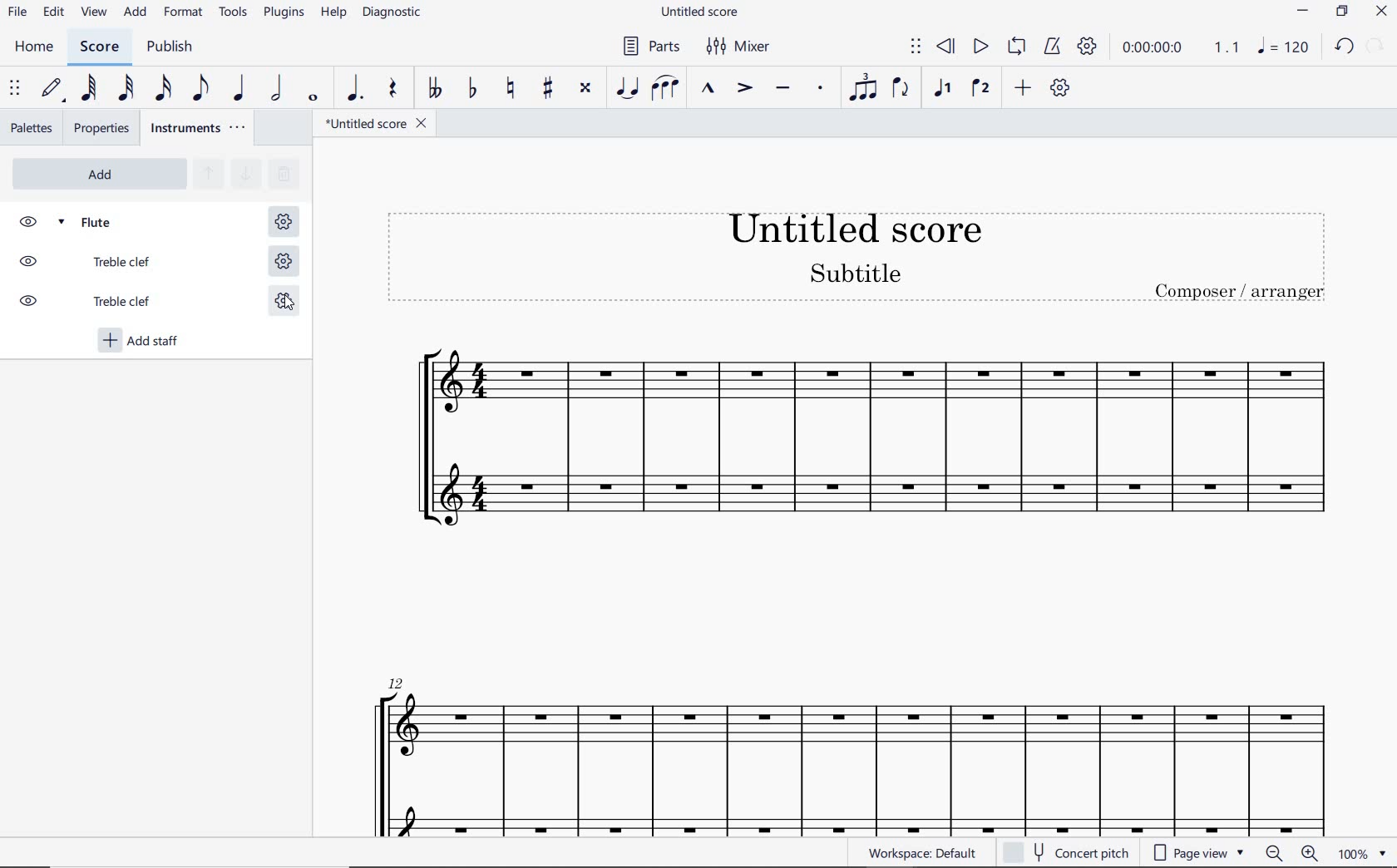 The image size is (1397, 868). What do you see at coordinates (283, 303) in the screenshot?
I see `STAFF SETTING` at bounding box center [283, 303].